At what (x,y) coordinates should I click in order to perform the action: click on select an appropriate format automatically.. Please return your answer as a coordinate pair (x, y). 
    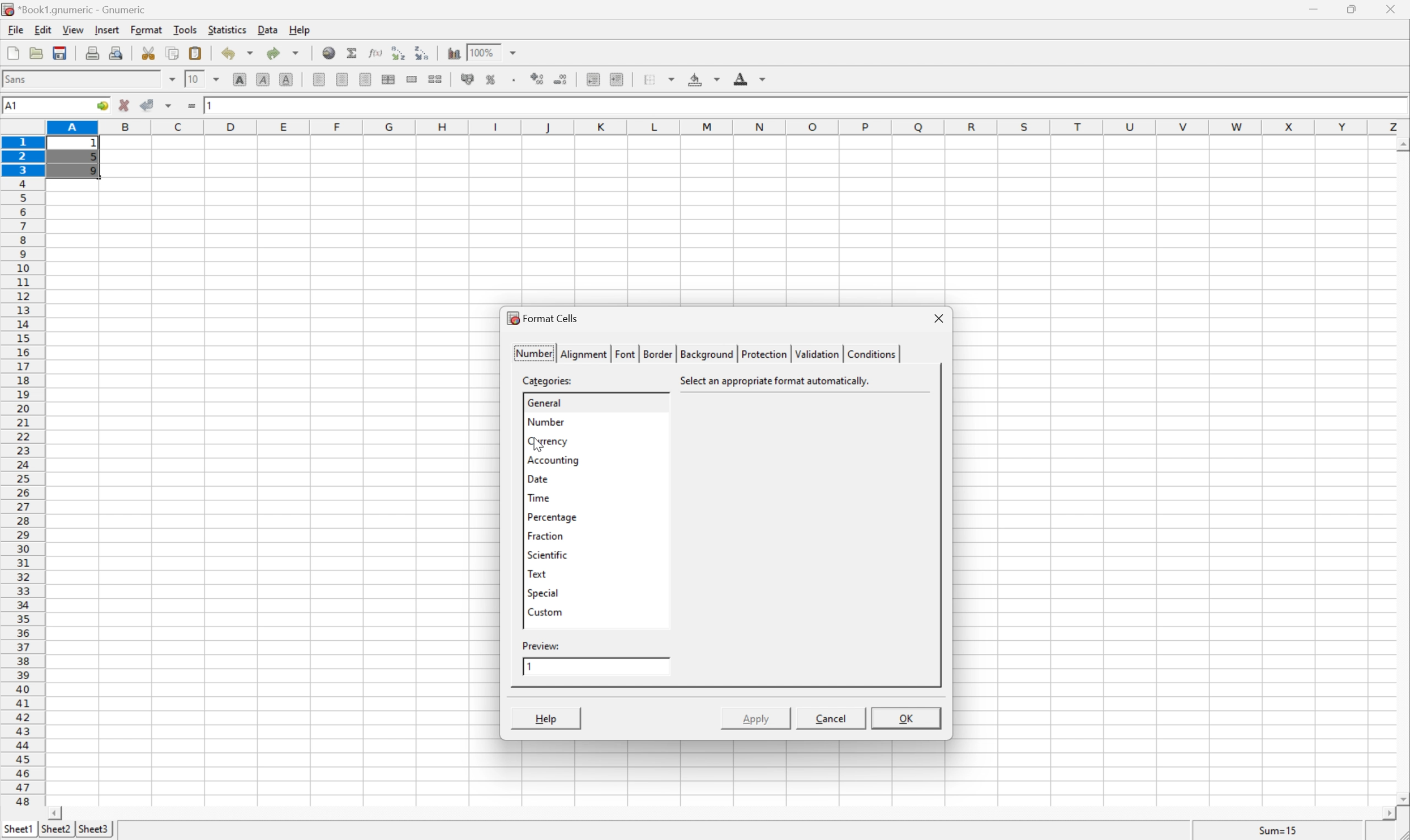
    Looking at the image, I should click on (779, 381).